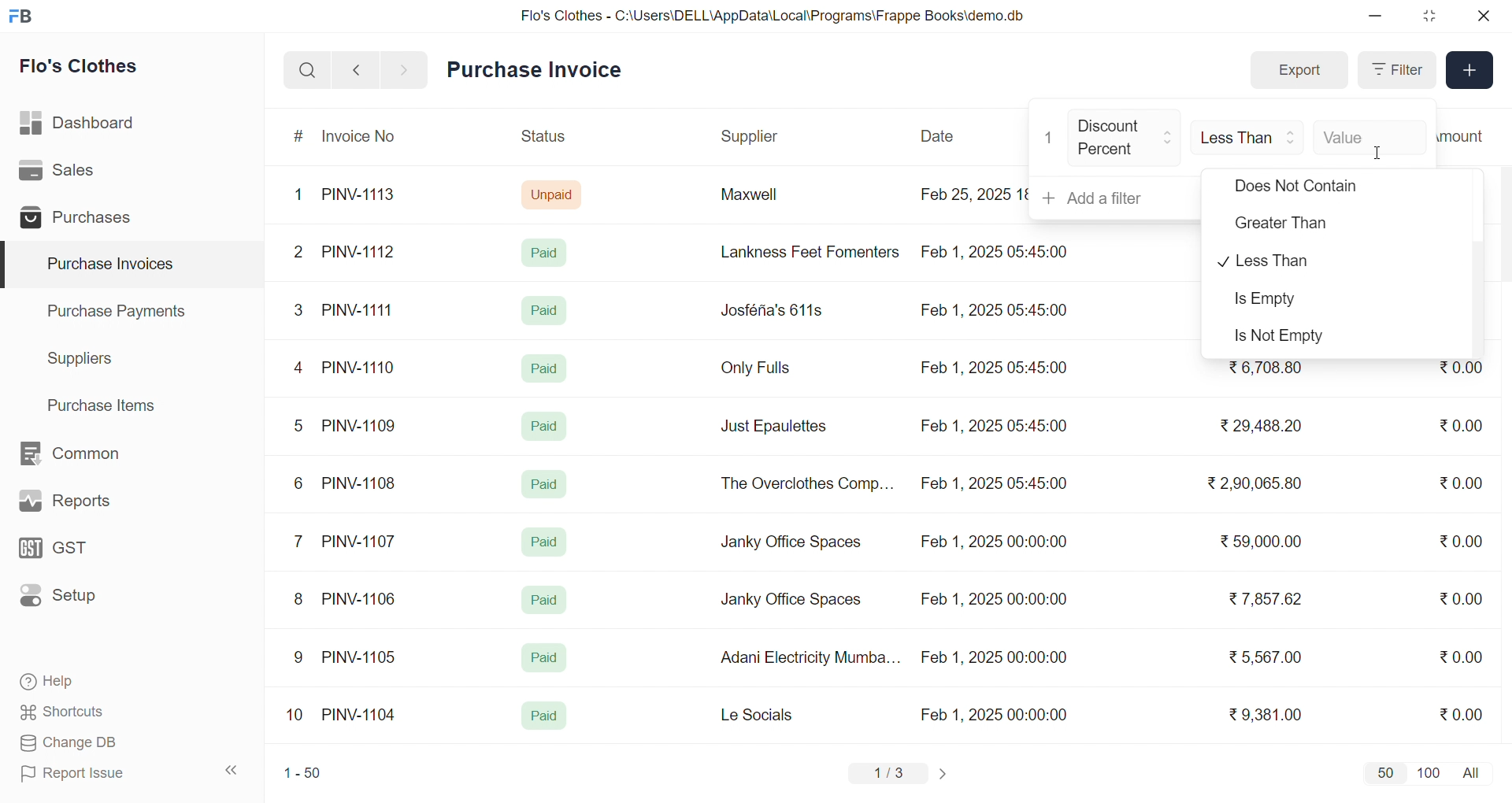 The width and height of the screenshot is (1512, 803). What do you see at coordinates (298, 309) in the screenshot?
I see `3` at bounding box center [298, 309].